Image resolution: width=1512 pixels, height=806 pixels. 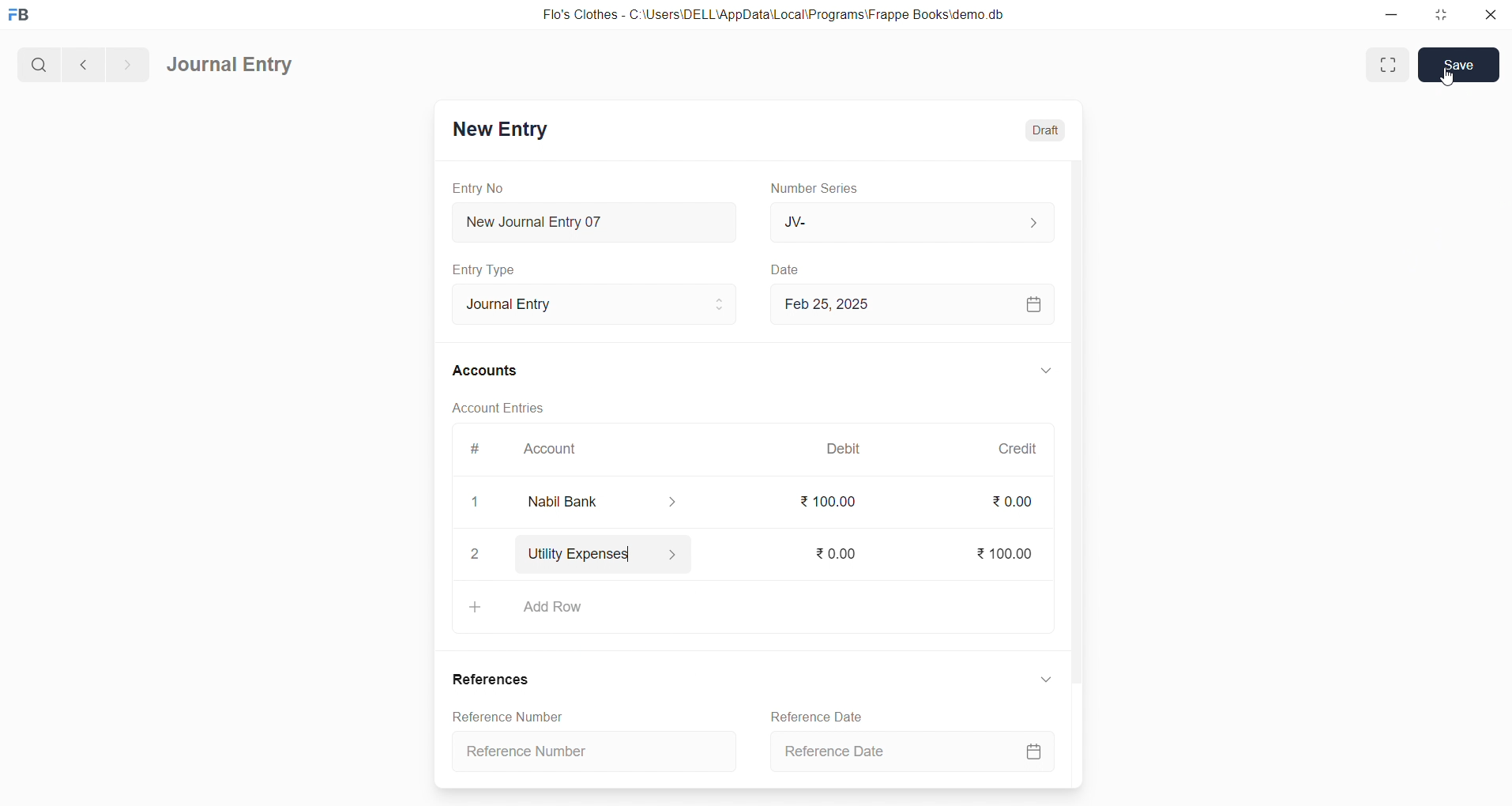 I want to click on Credit, so click(x=1017, y=448).